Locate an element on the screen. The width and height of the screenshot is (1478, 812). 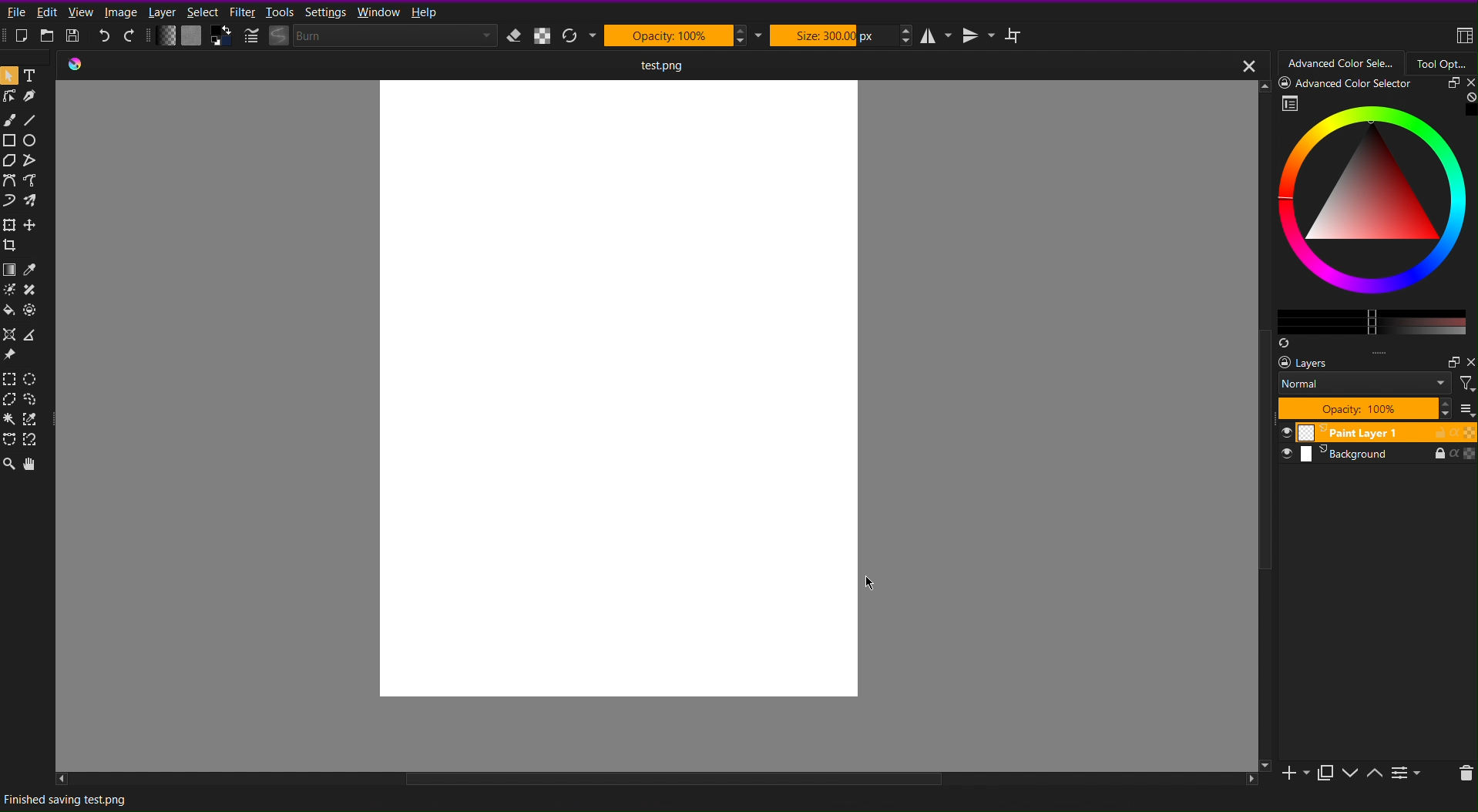
File is located at coordinates (15, 15).